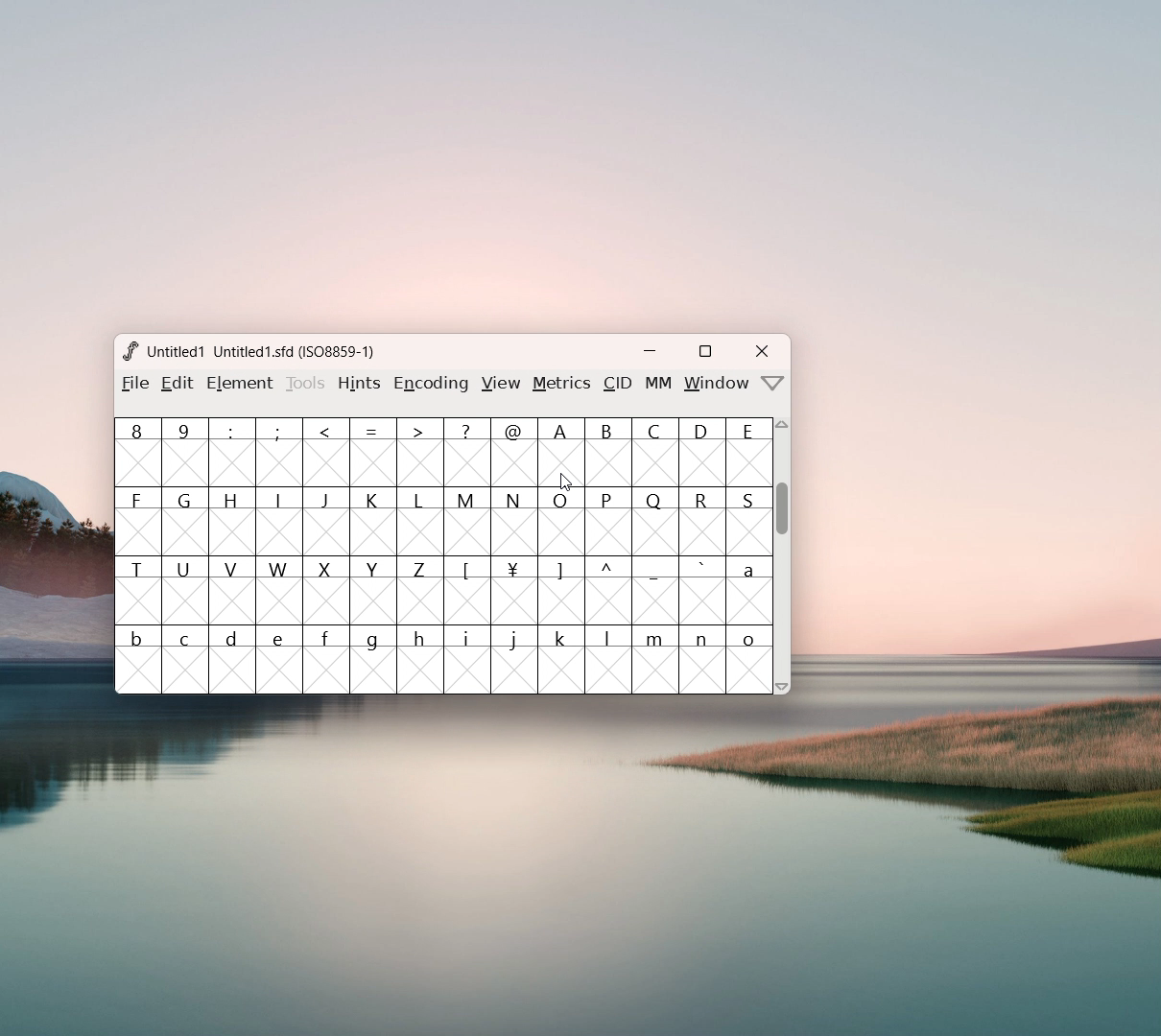 This screenshot has width=1161, height=1036. Describe the element at coordinates (703, 591) in the screenshot. I see ``` at that location.